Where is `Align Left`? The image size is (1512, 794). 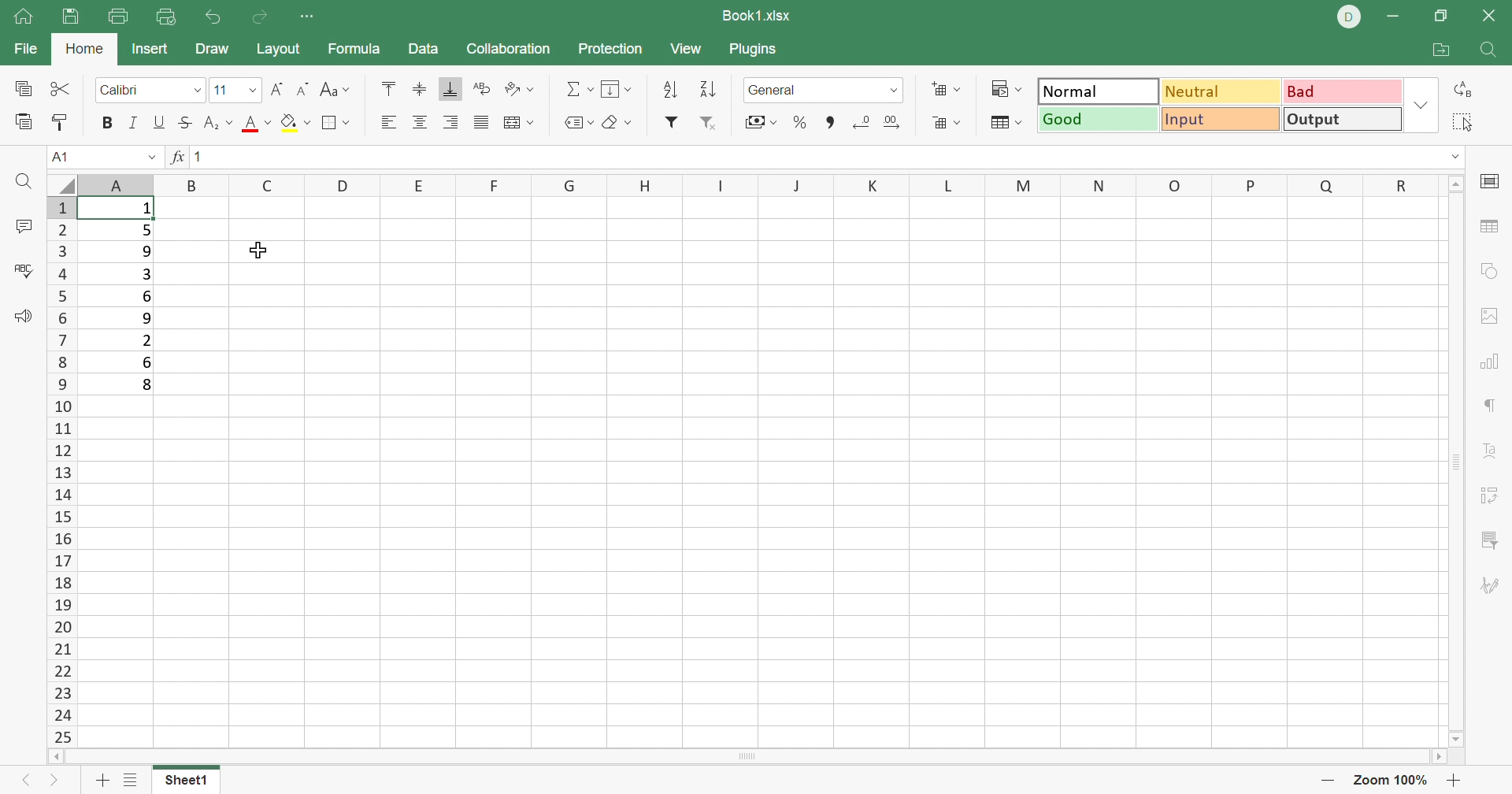 Align Left is located at coordinates (390, 122).